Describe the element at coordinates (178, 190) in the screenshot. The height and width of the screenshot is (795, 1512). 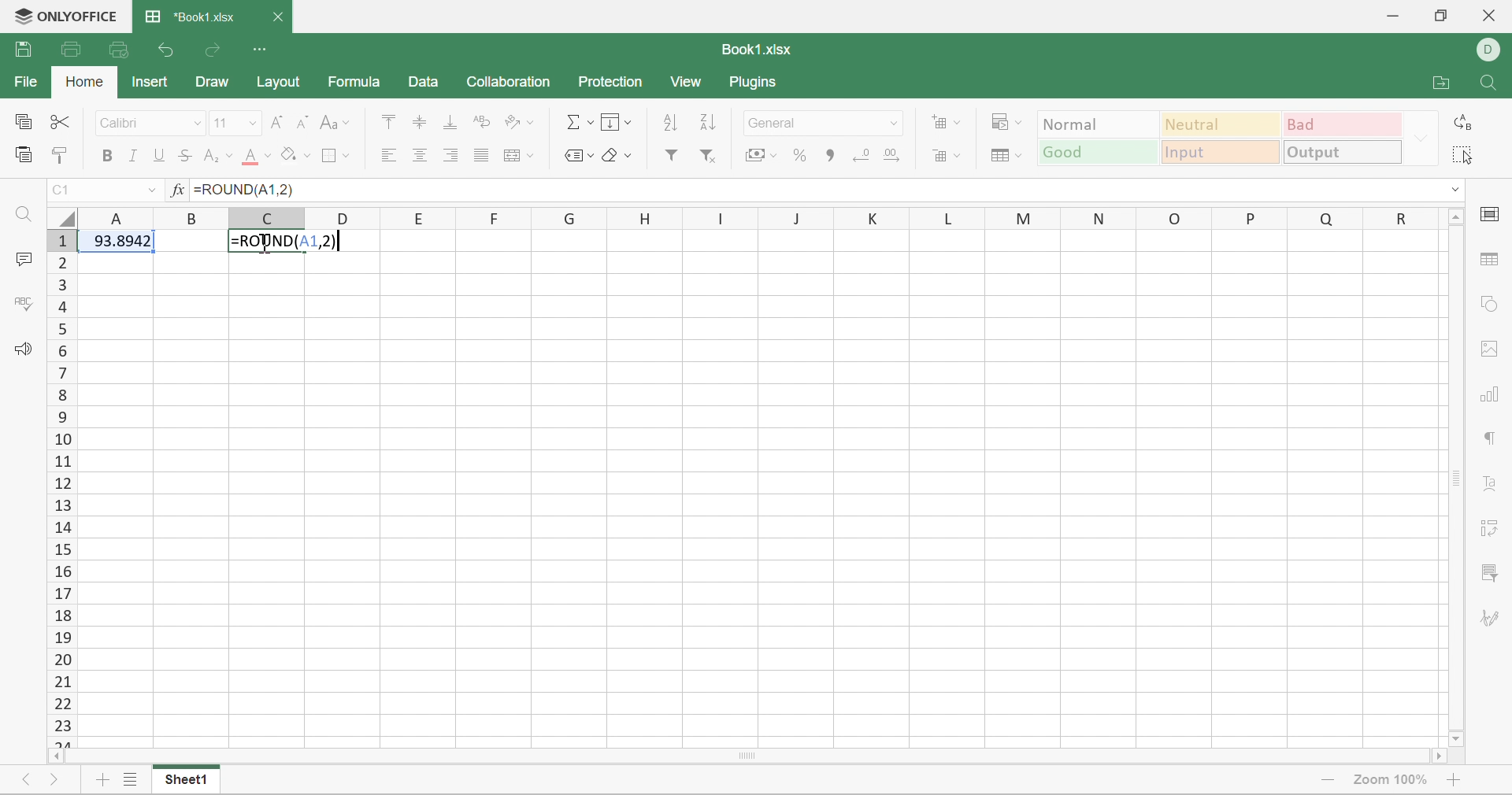
I see `fx` at that location.